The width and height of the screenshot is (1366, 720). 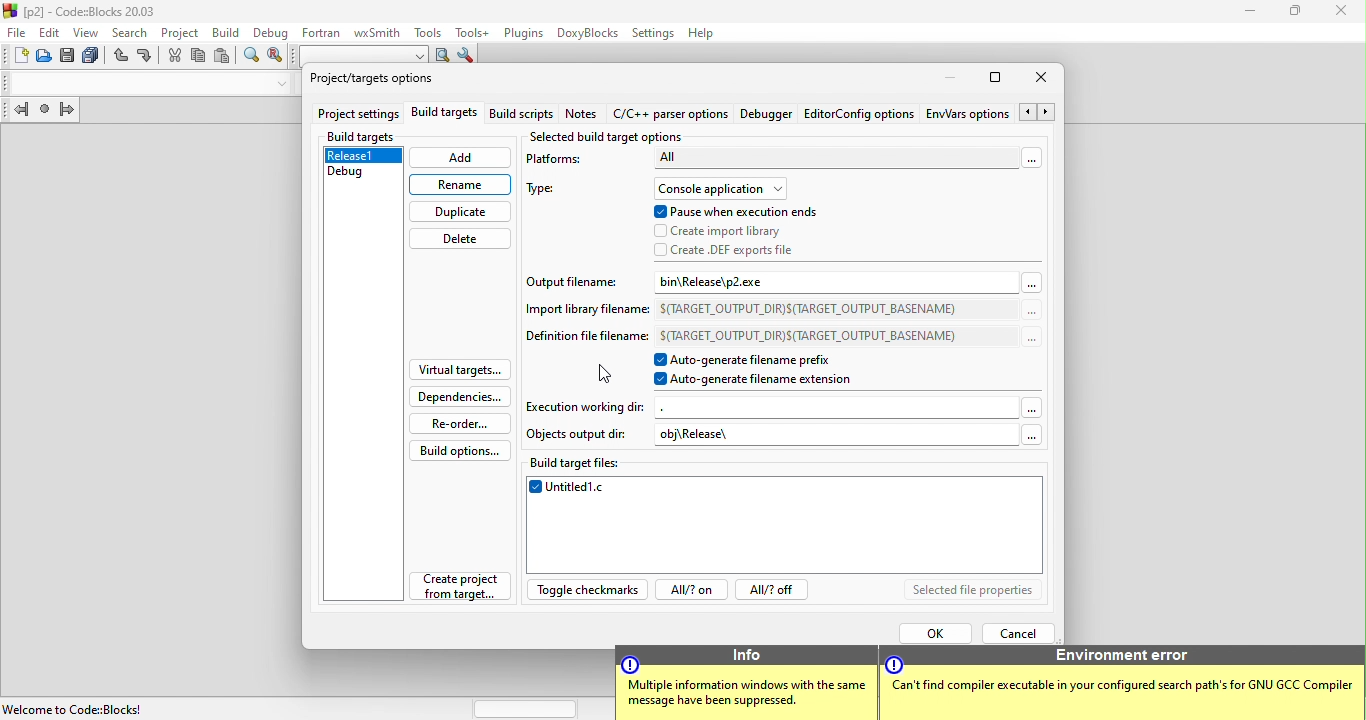 What do you see at coordinates (588, 592) in the screenshot?
I see `toggle checkmarks` at bounding box center [588, 592].